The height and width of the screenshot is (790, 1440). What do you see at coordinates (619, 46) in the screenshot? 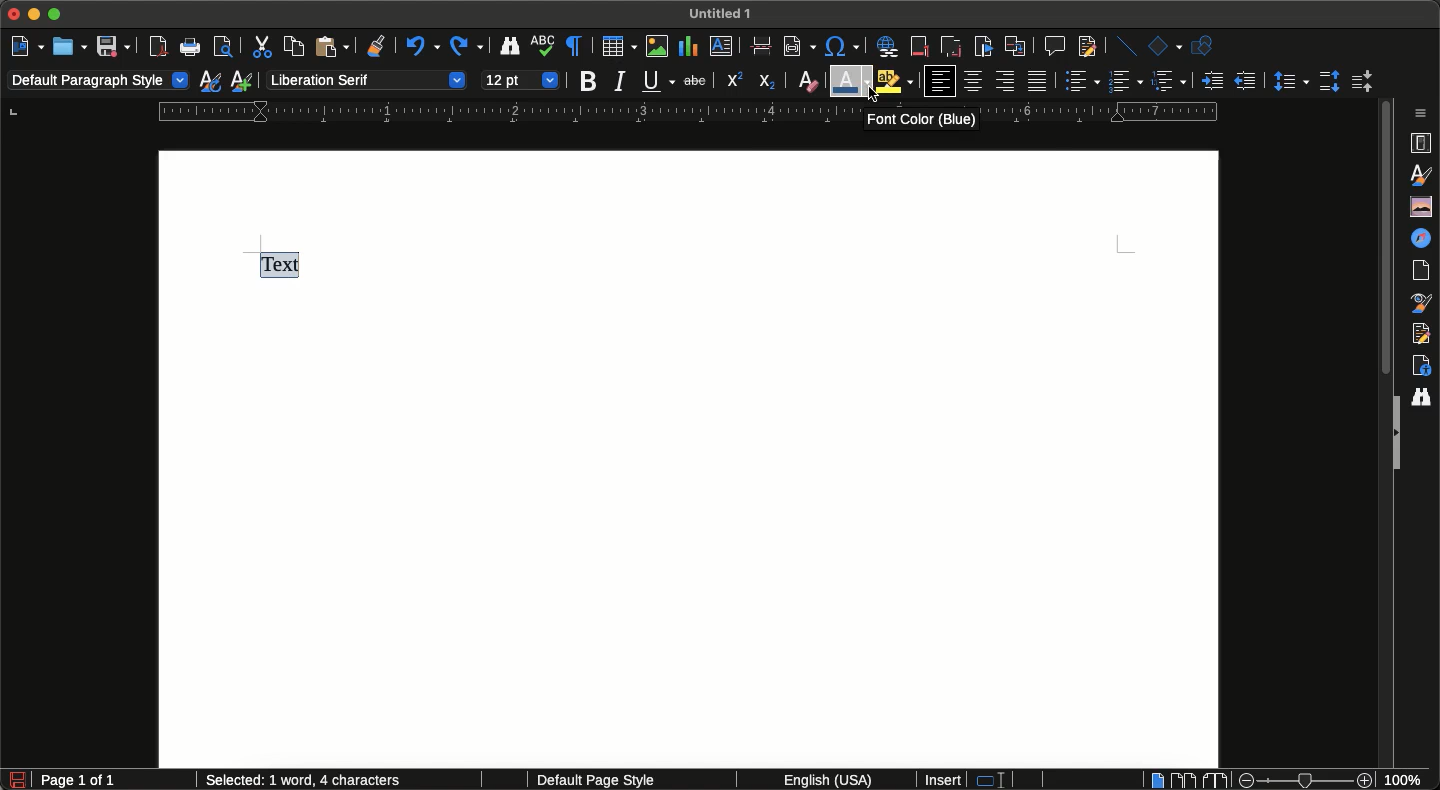
I see `Insert table` at bounding box center [619, 46].